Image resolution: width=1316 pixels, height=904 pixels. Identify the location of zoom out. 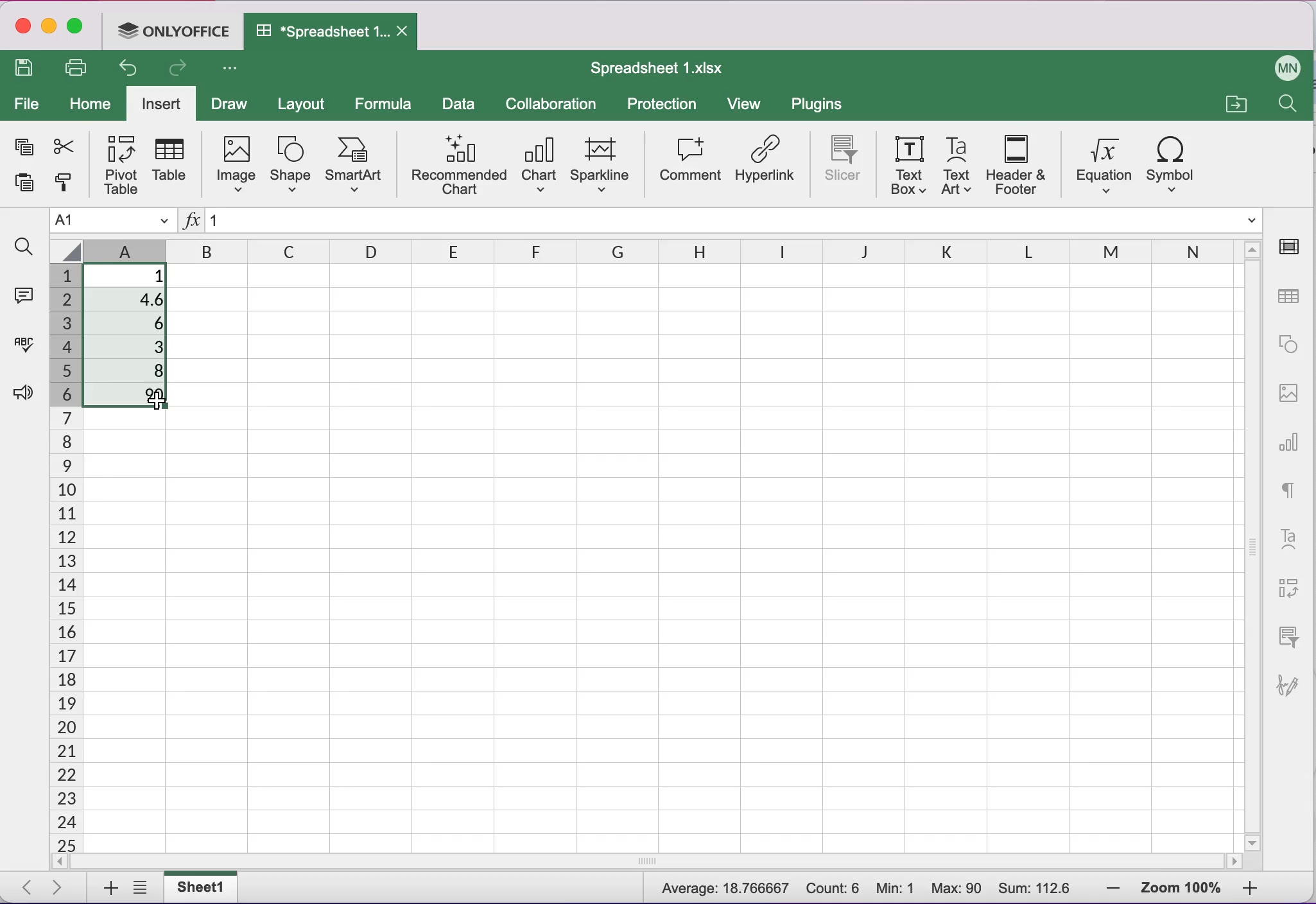
(1105, 887).